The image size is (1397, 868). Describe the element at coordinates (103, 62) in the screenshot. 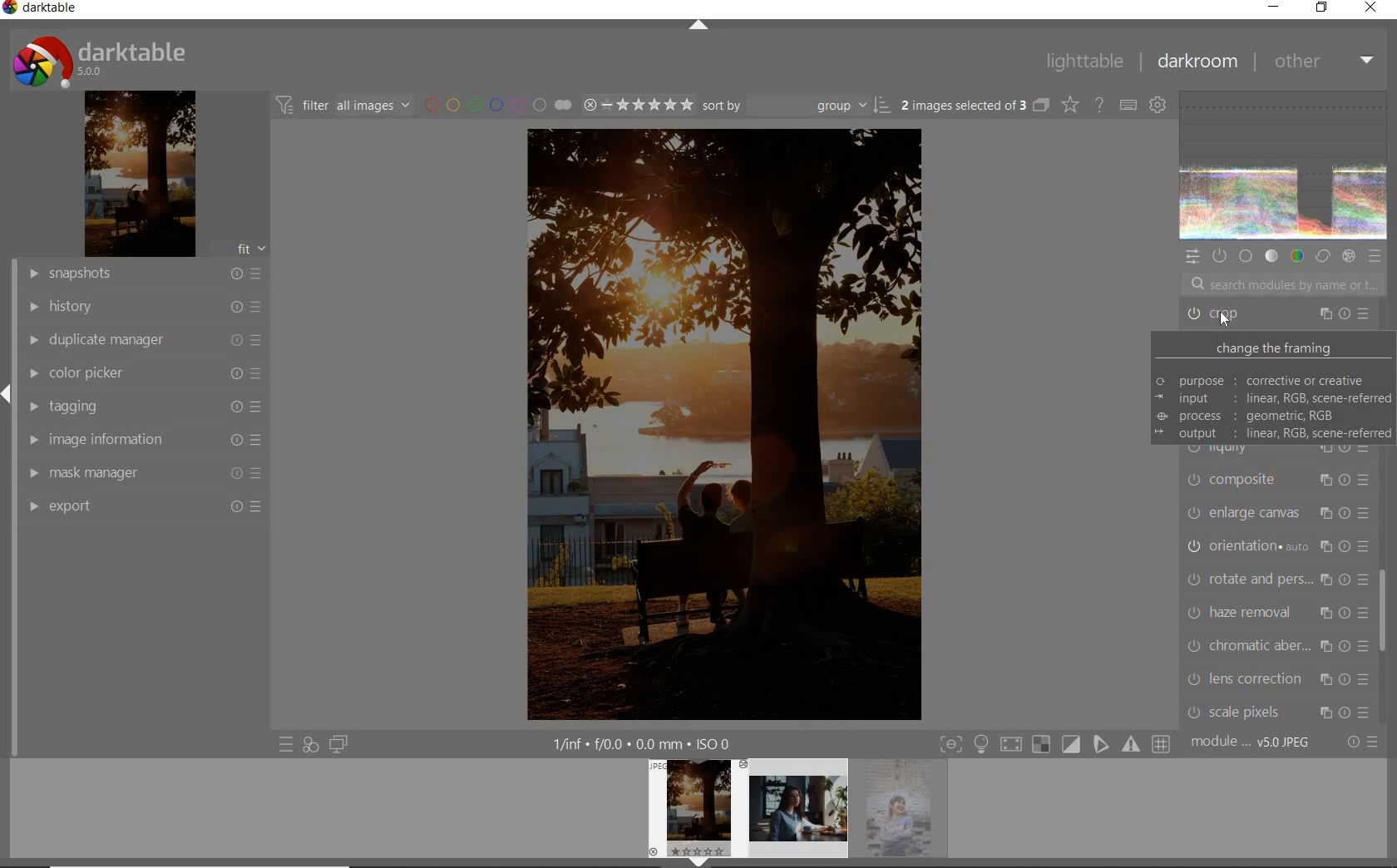

I see `system logo & name` at that location.